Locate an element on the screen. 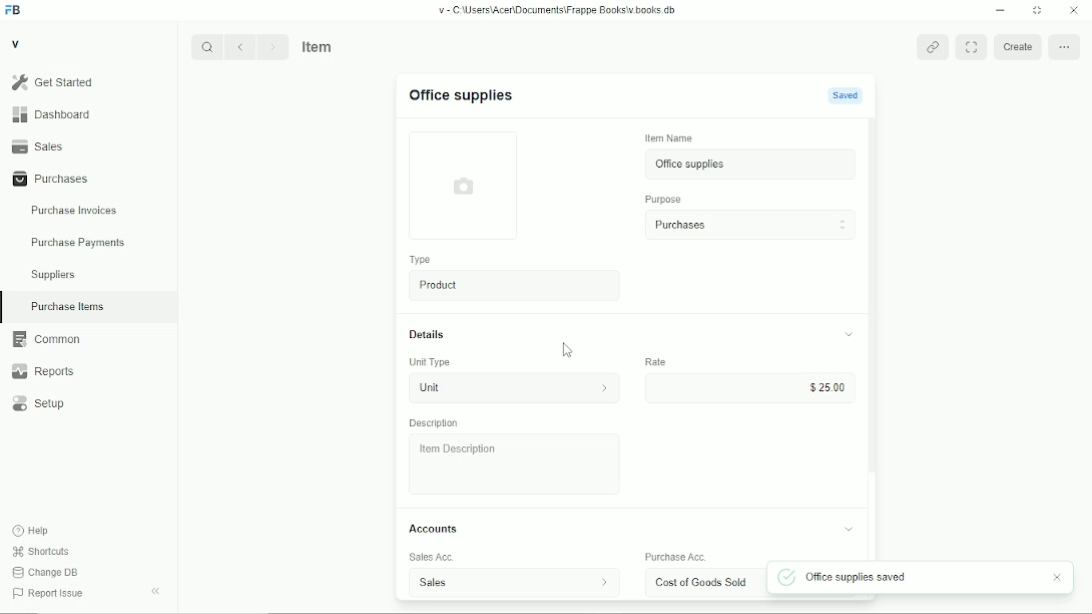  suppliers is located at coordinates (53, 275).